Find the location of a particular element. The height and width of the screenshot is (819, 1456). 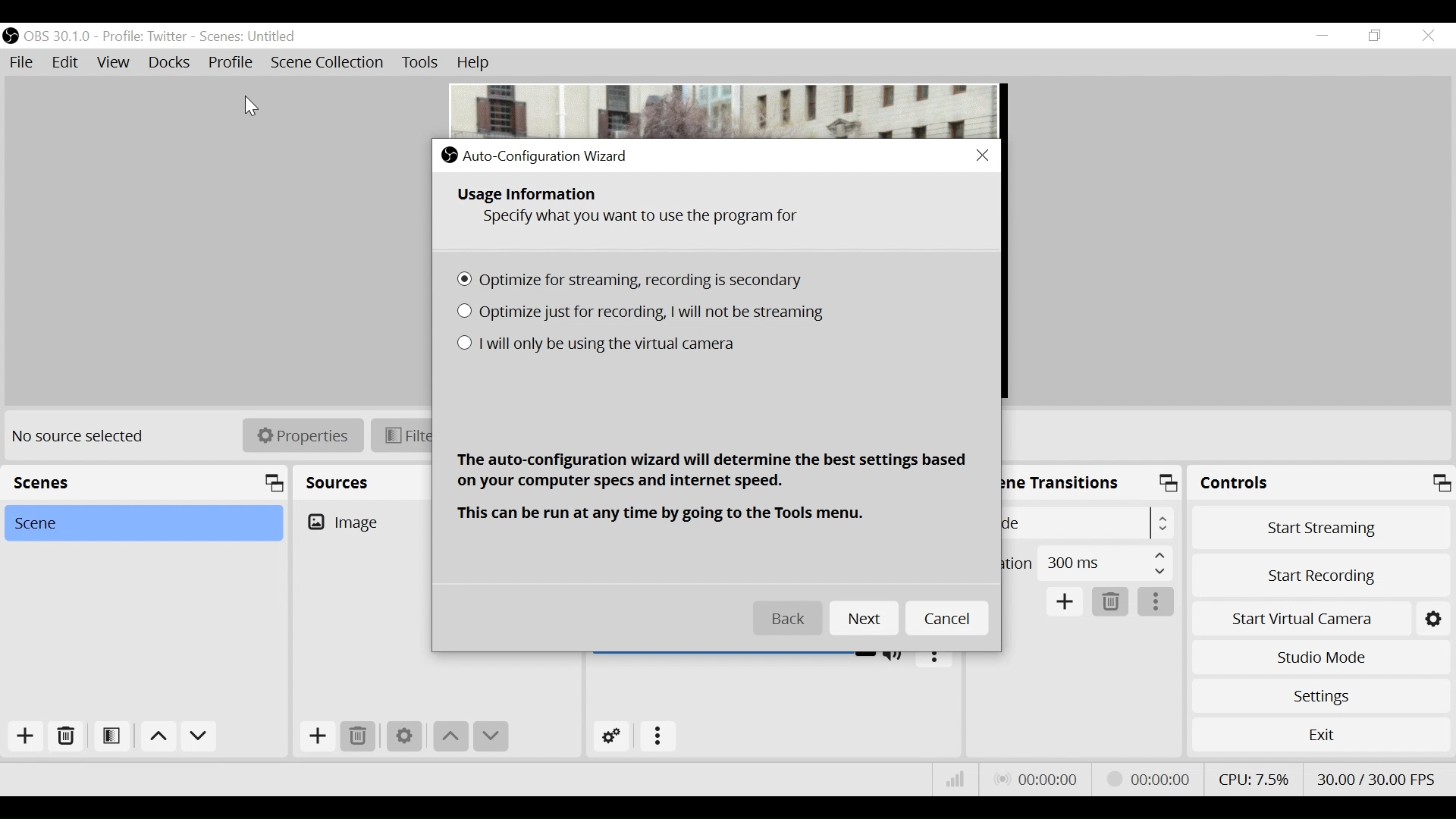

Next  is located at coordinates (863, 619).